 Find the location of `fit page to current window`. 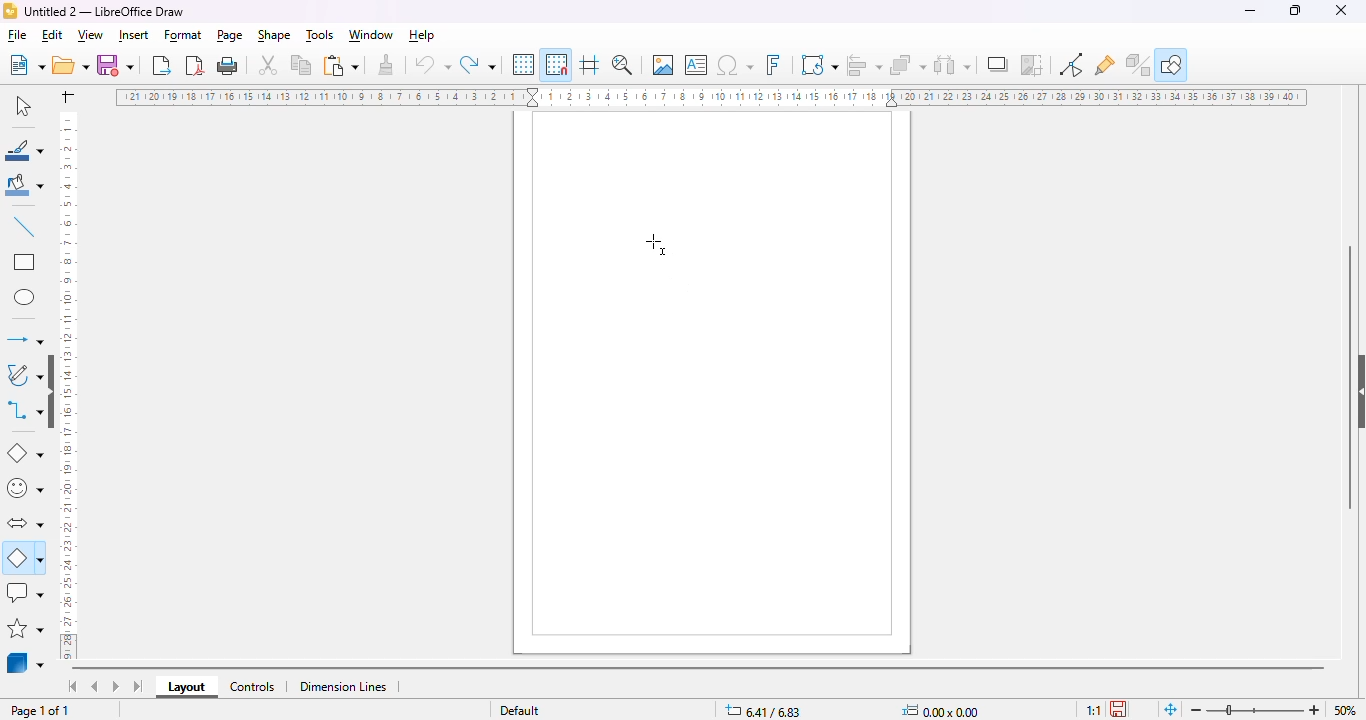

fit page to current window is located at coordinates (1170, 709).